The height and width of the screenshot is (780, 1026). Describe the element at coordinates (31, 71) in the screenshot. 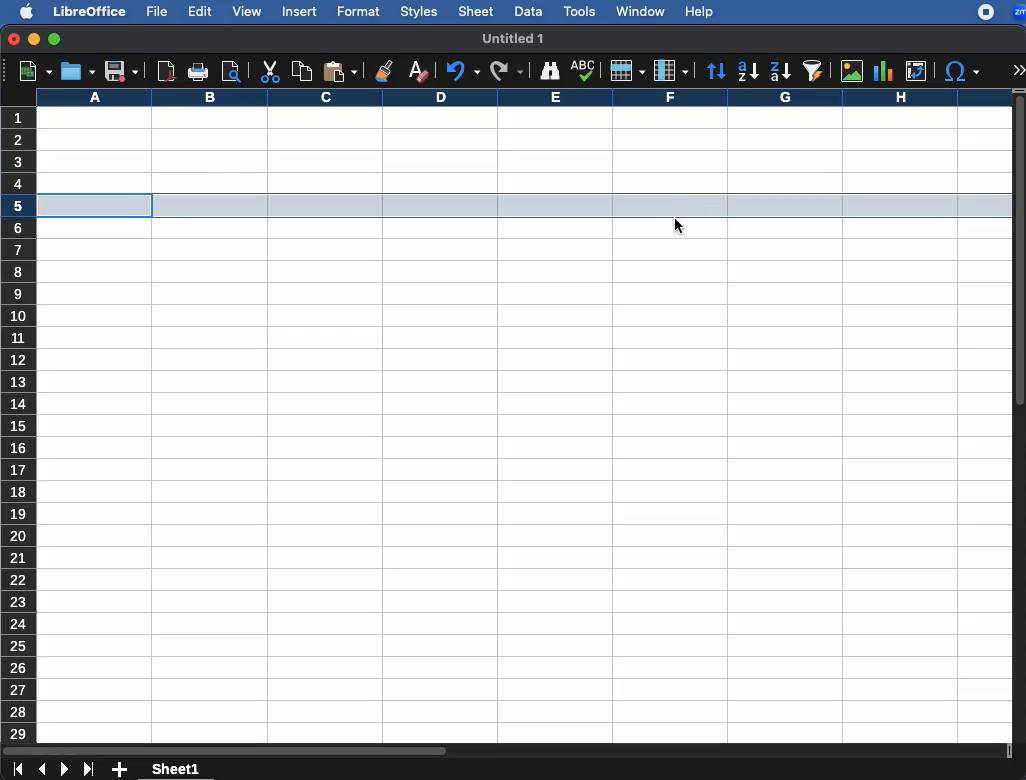

I see `new` at that location.